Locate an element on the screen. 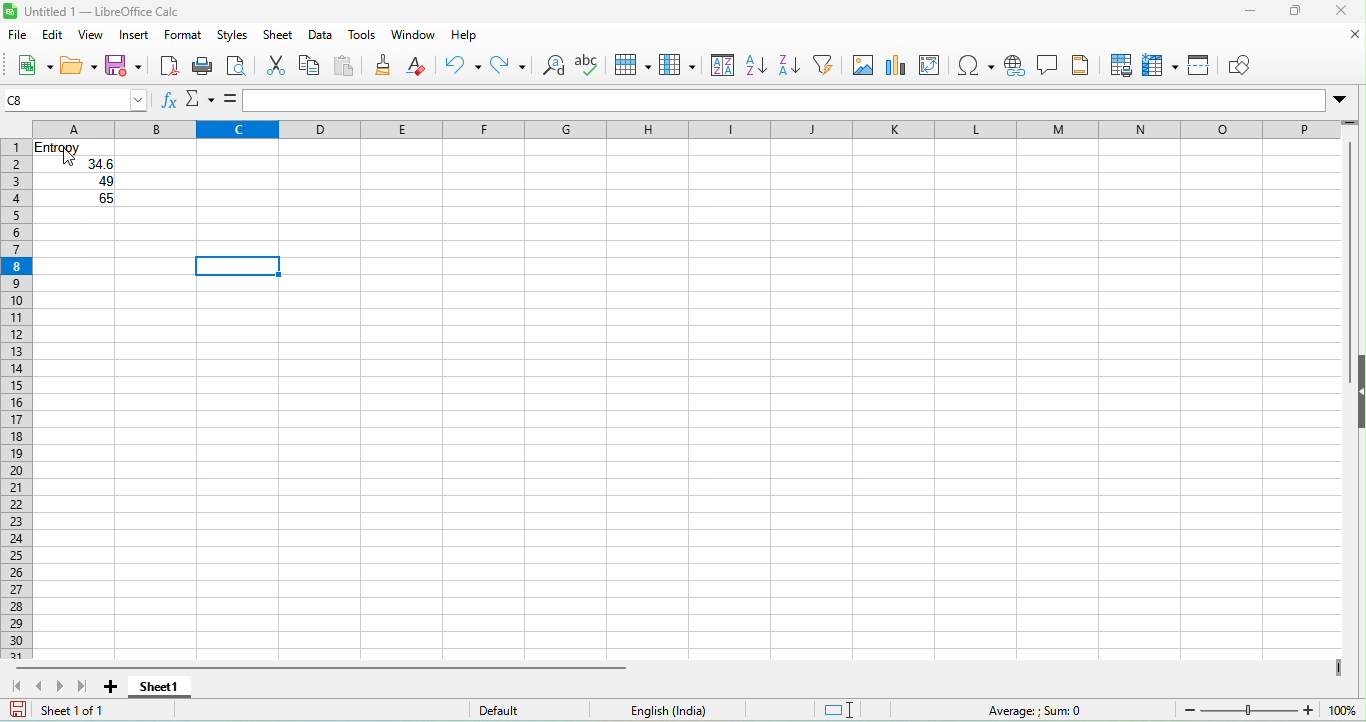 The height and width of the screenshot is (722, 1366). export directly as pdf is located at coordinates (172, 65).